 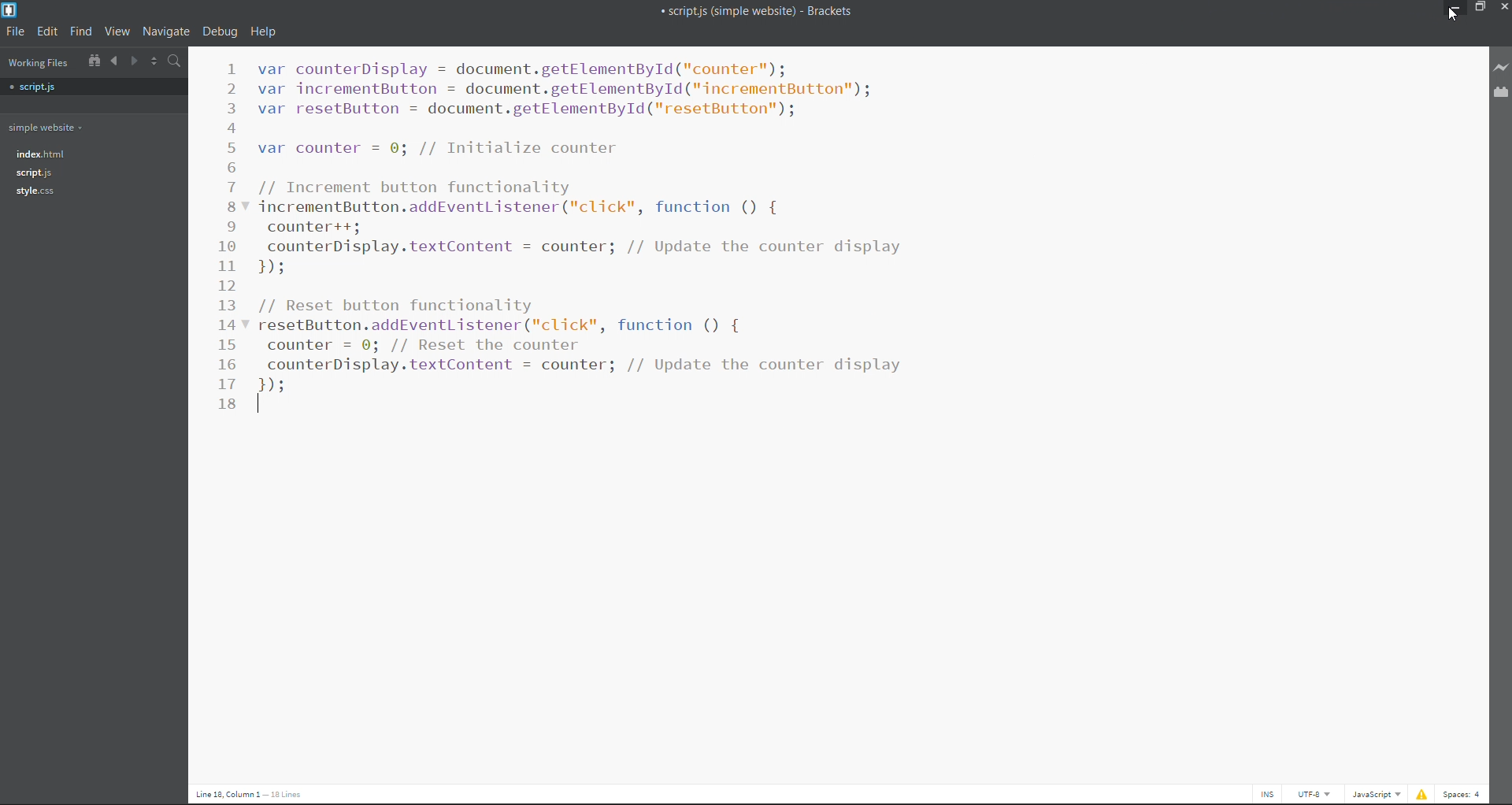 What do you see at coordinates (1499, 93) in the screenshot?
I see `extension manager` at bounding box center [1499, 93].